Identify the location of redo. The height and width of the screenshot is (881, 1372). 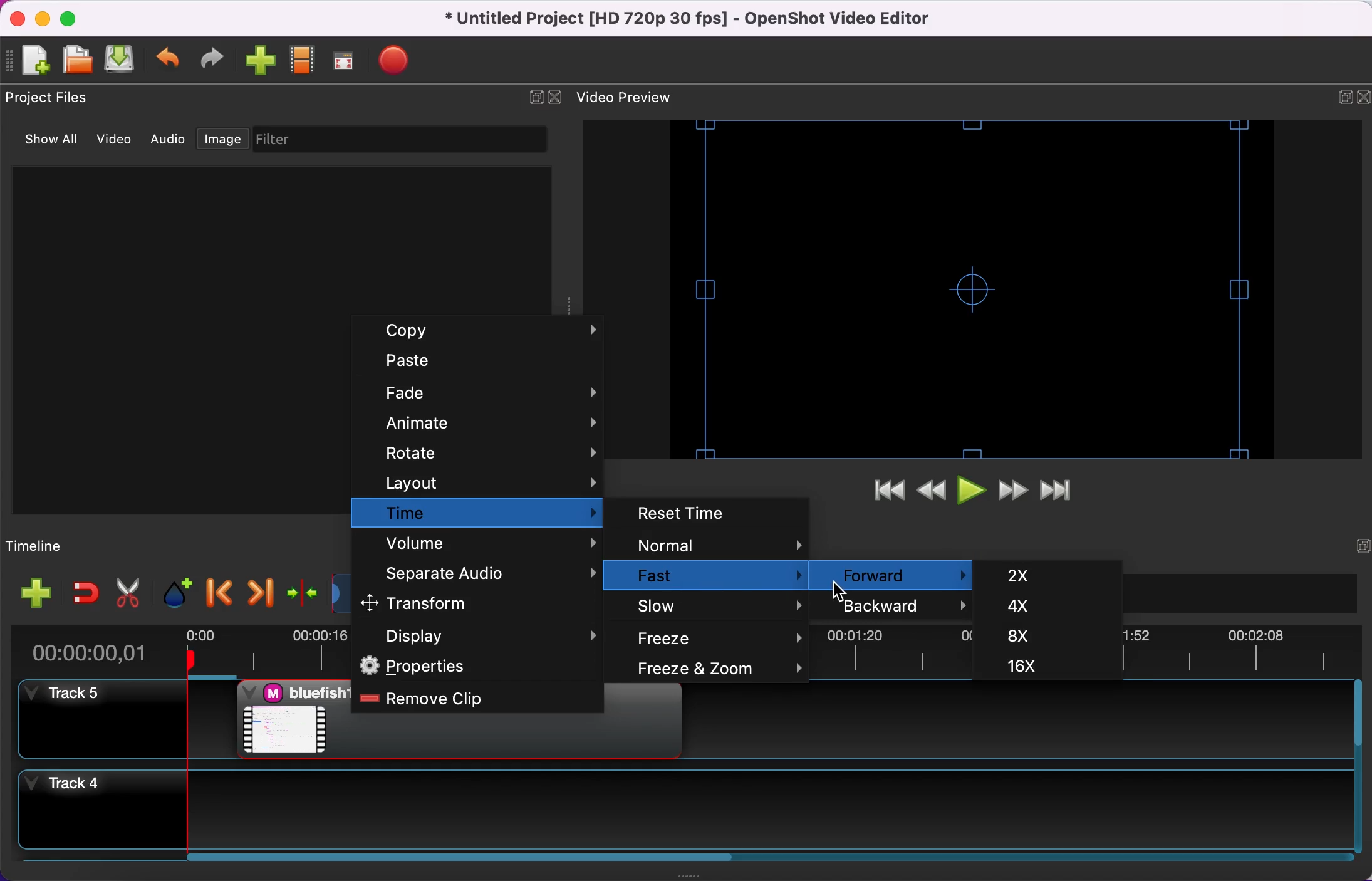
(217, 61).